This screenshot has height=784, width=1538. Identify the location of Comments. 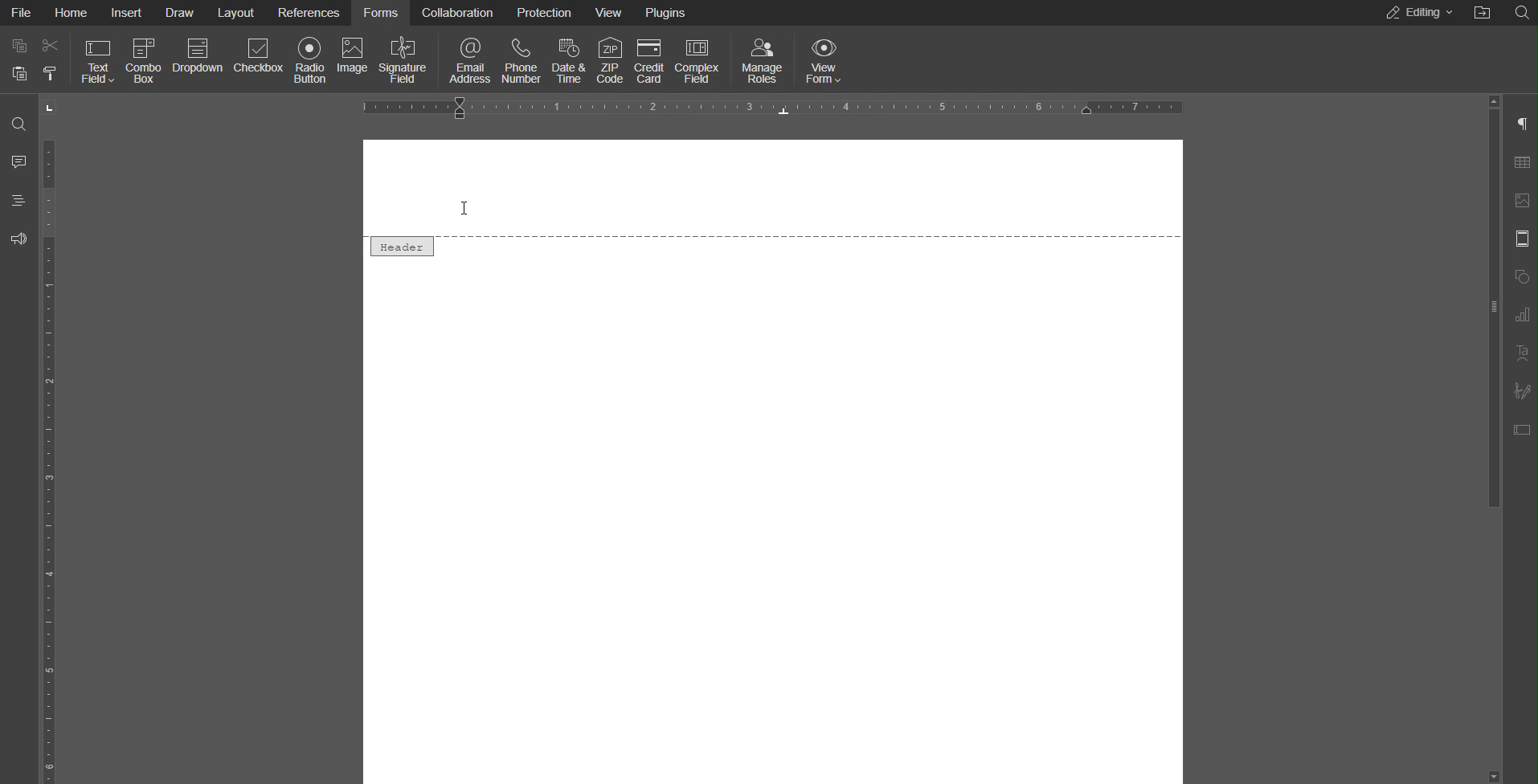
(18, 161).